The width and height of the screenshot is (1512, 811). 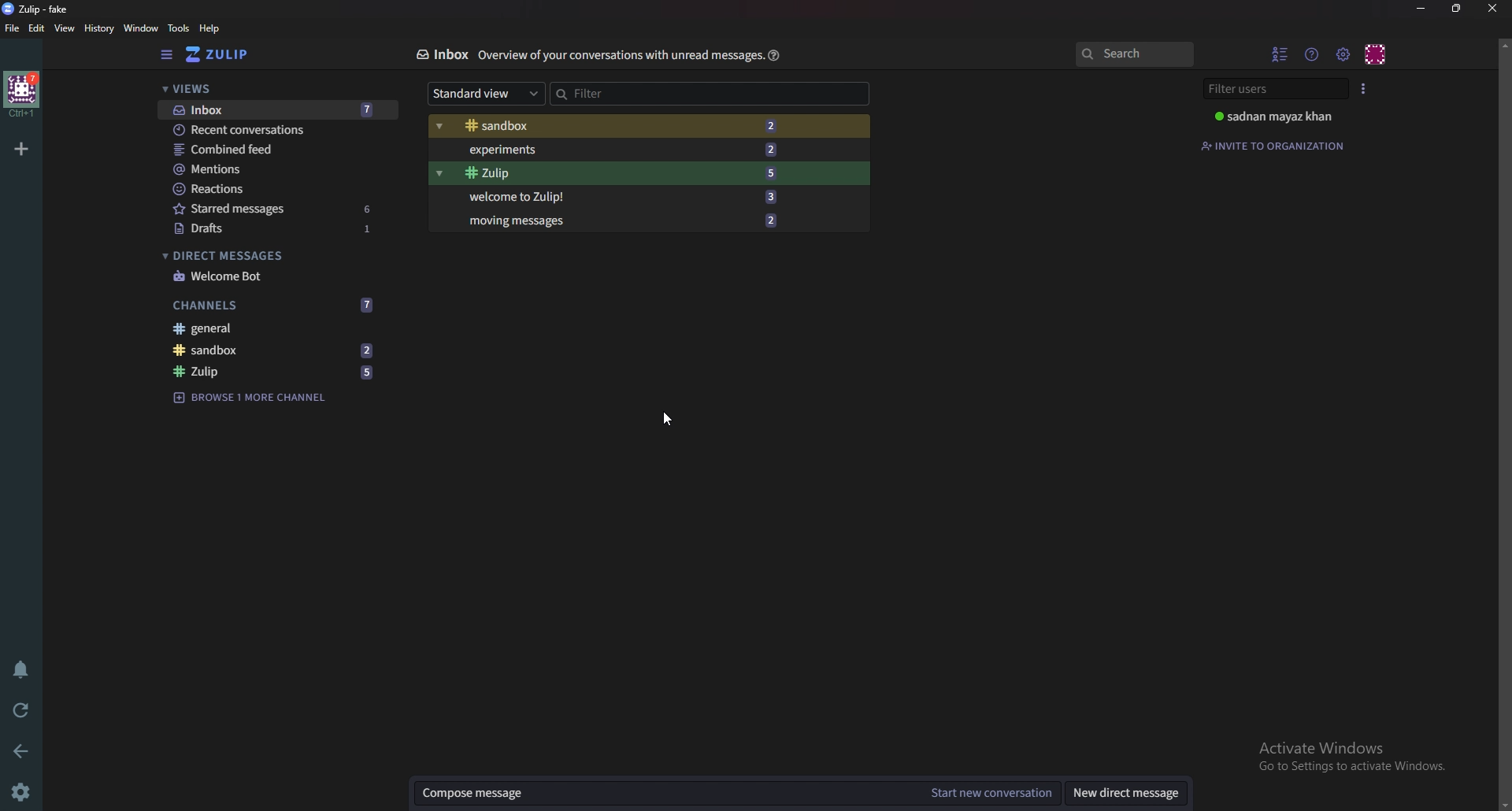 What do you see at coordinates (19, 670) in the screenshot?
I see `Enable do not disturb` at bounding box center [19, 670].